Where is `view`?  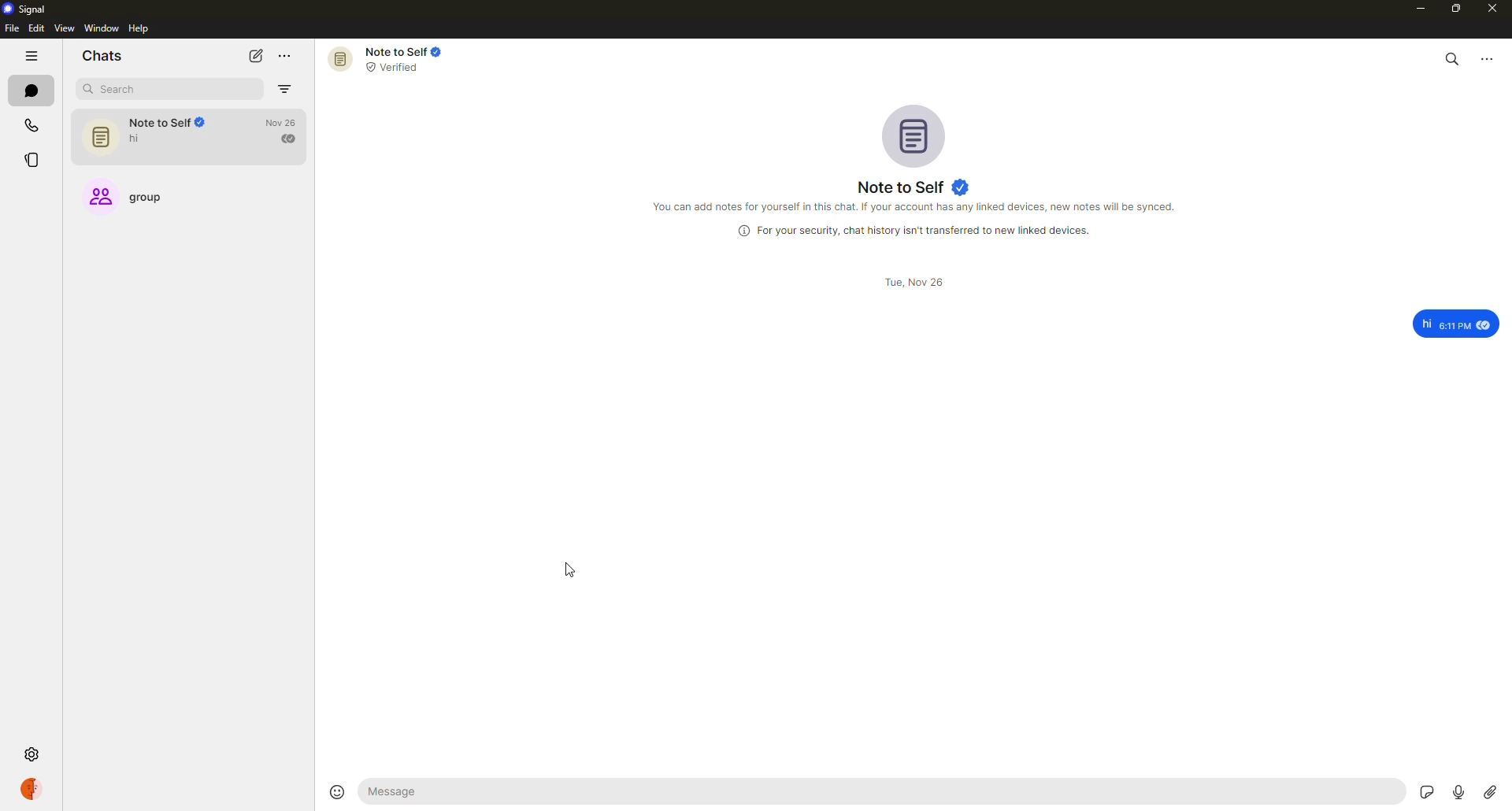
view is located at coordinates (62, 29).